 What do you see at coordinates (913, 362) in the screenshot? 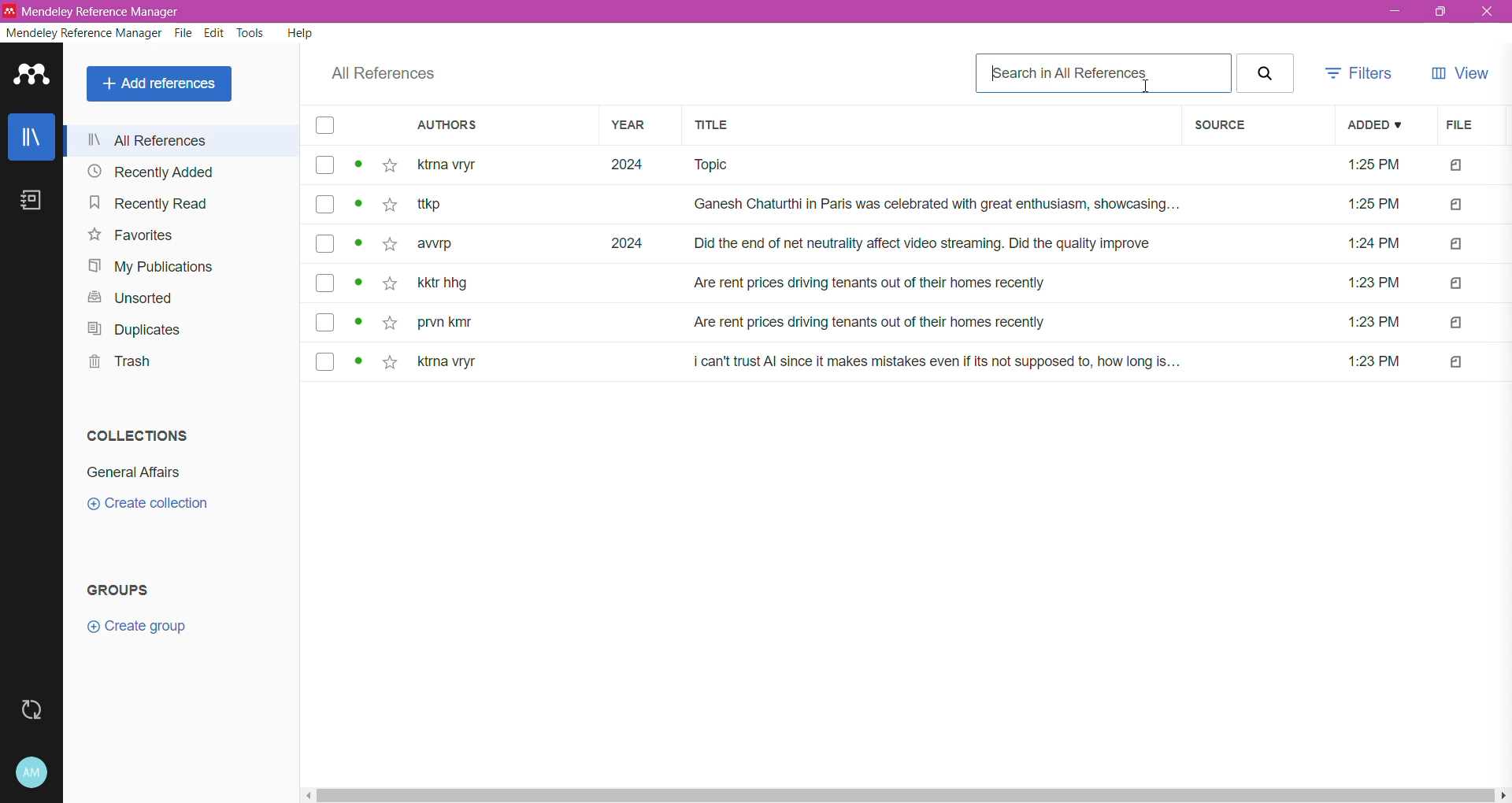
I see `ktrna vryr i can't trust Al since it makes mistakes even if its not supposed to, how long is... 1:23 PM` at bounding box center [913, 362].